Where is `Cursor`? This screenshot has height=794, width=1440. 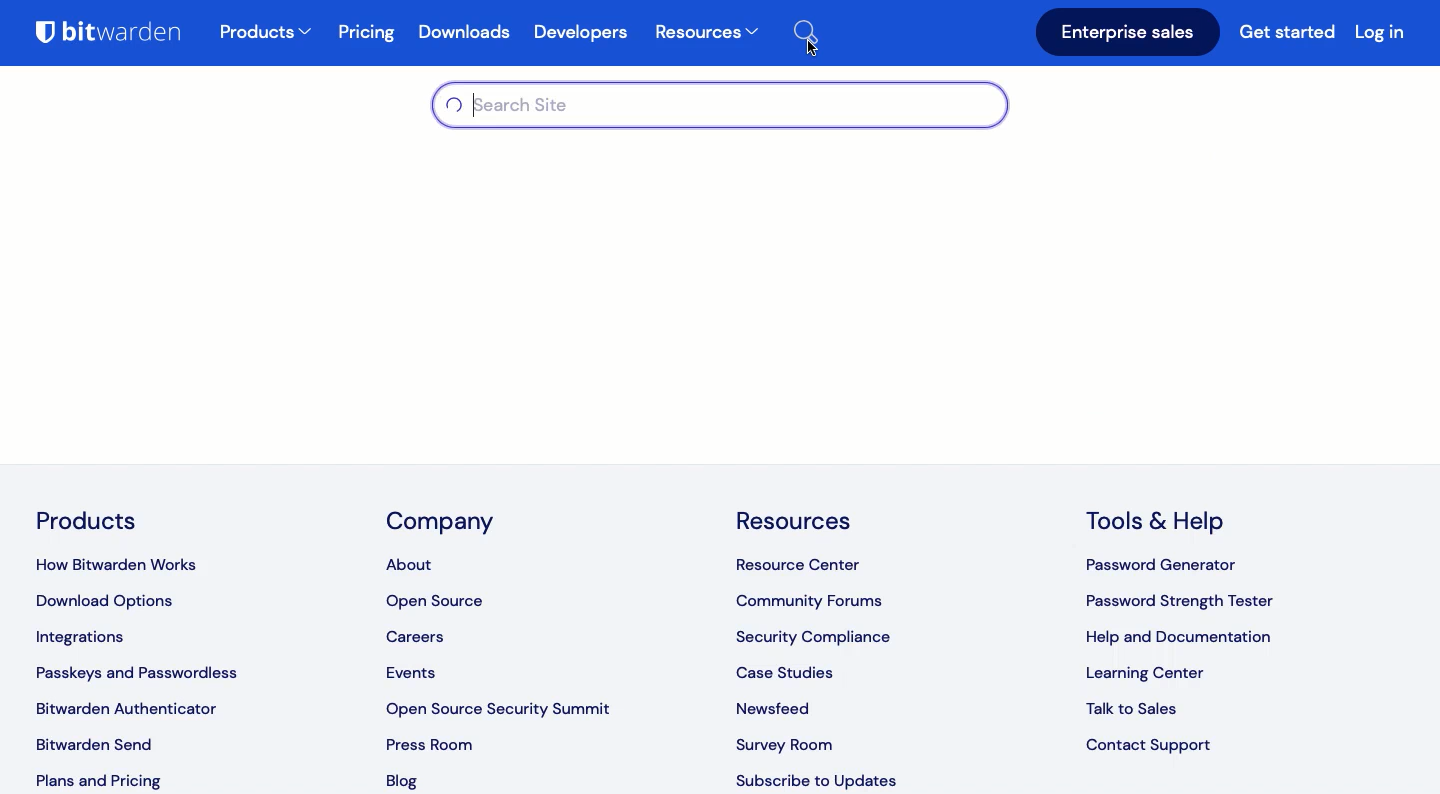 Cursor is located at coordinates (808, 48).